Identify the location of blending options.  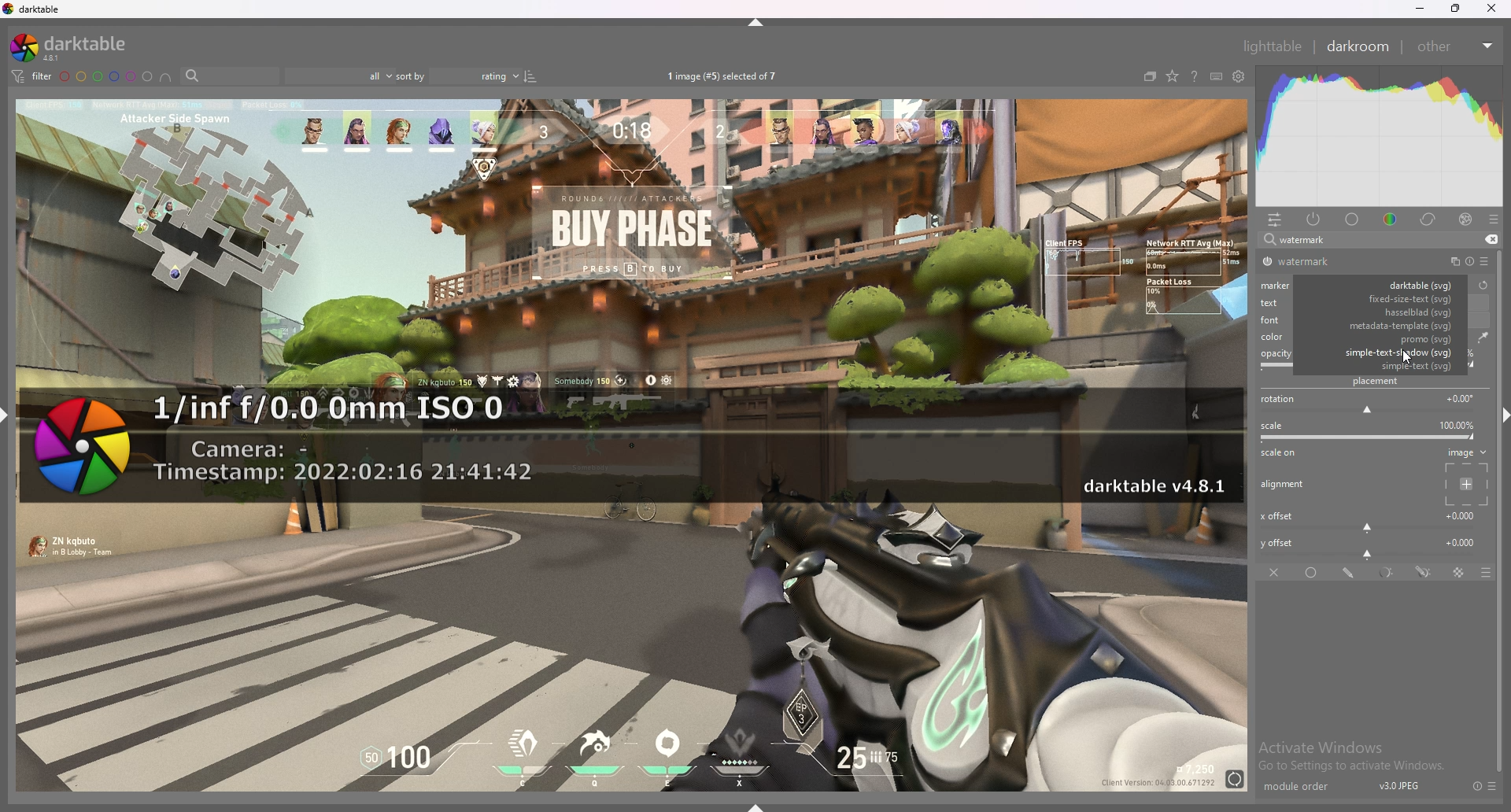
(1478, 573).